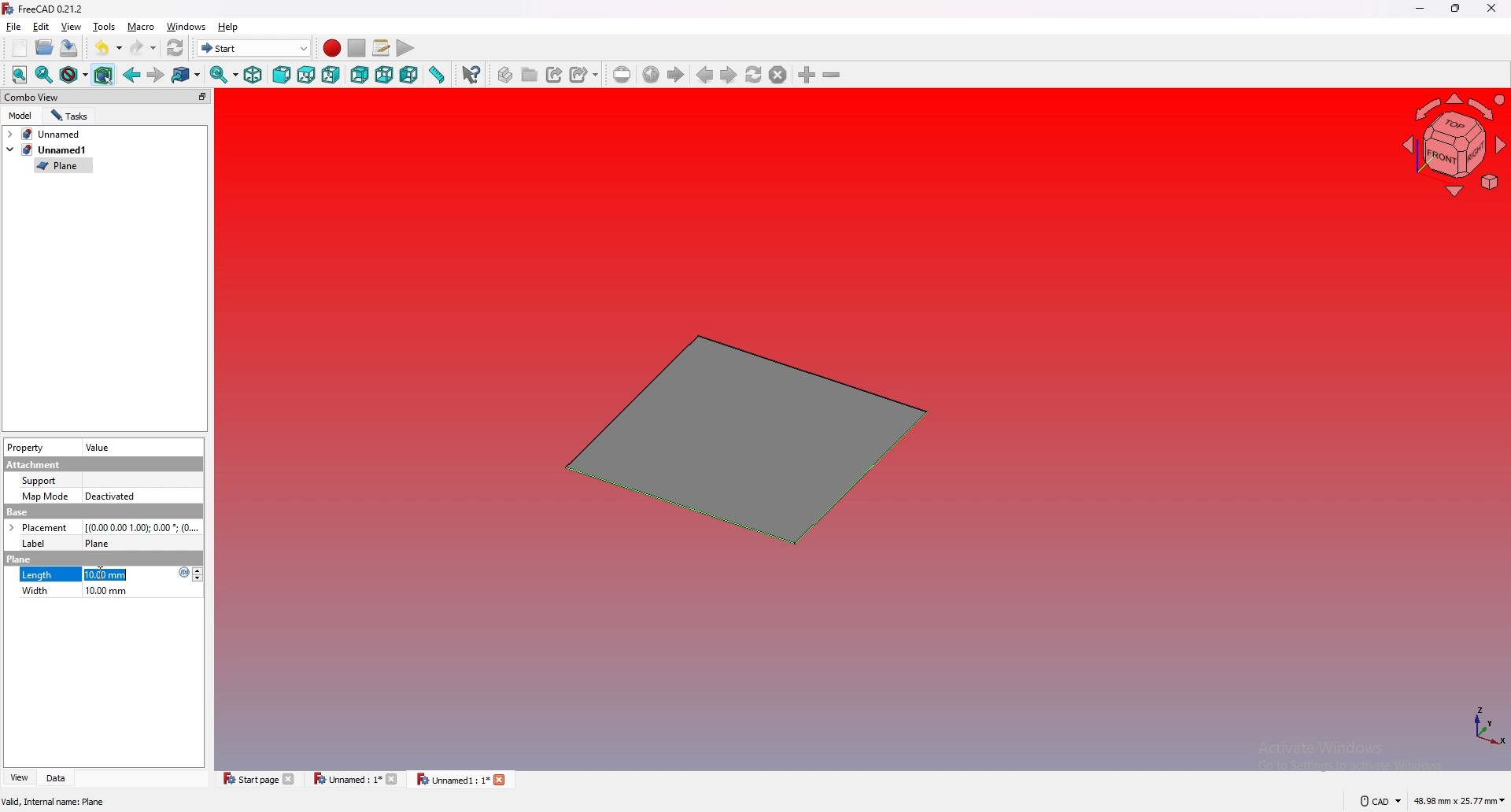  Describe the element at coordinates (306, 76) in the screenshot. I see `top` at that location.